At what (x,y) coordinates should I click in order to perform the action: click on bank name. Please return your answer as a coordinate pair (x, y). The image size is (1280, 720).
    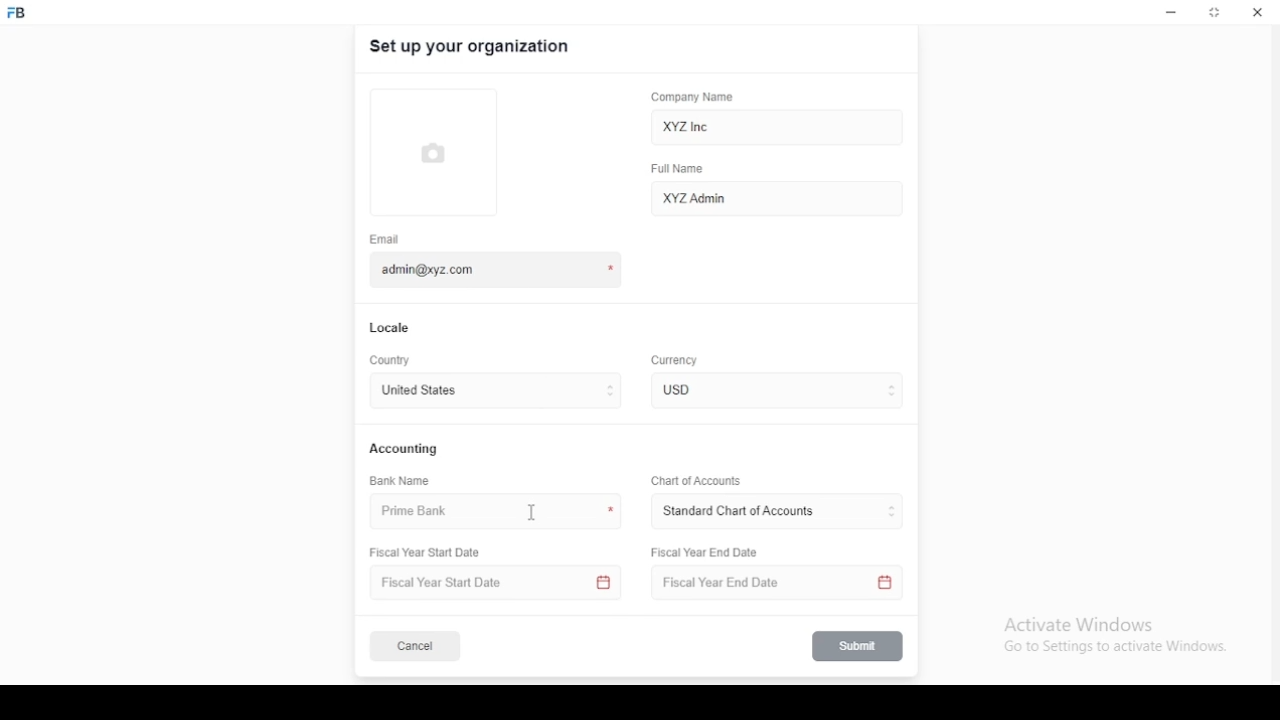
    Looking at the image, I should click on (401, 481).